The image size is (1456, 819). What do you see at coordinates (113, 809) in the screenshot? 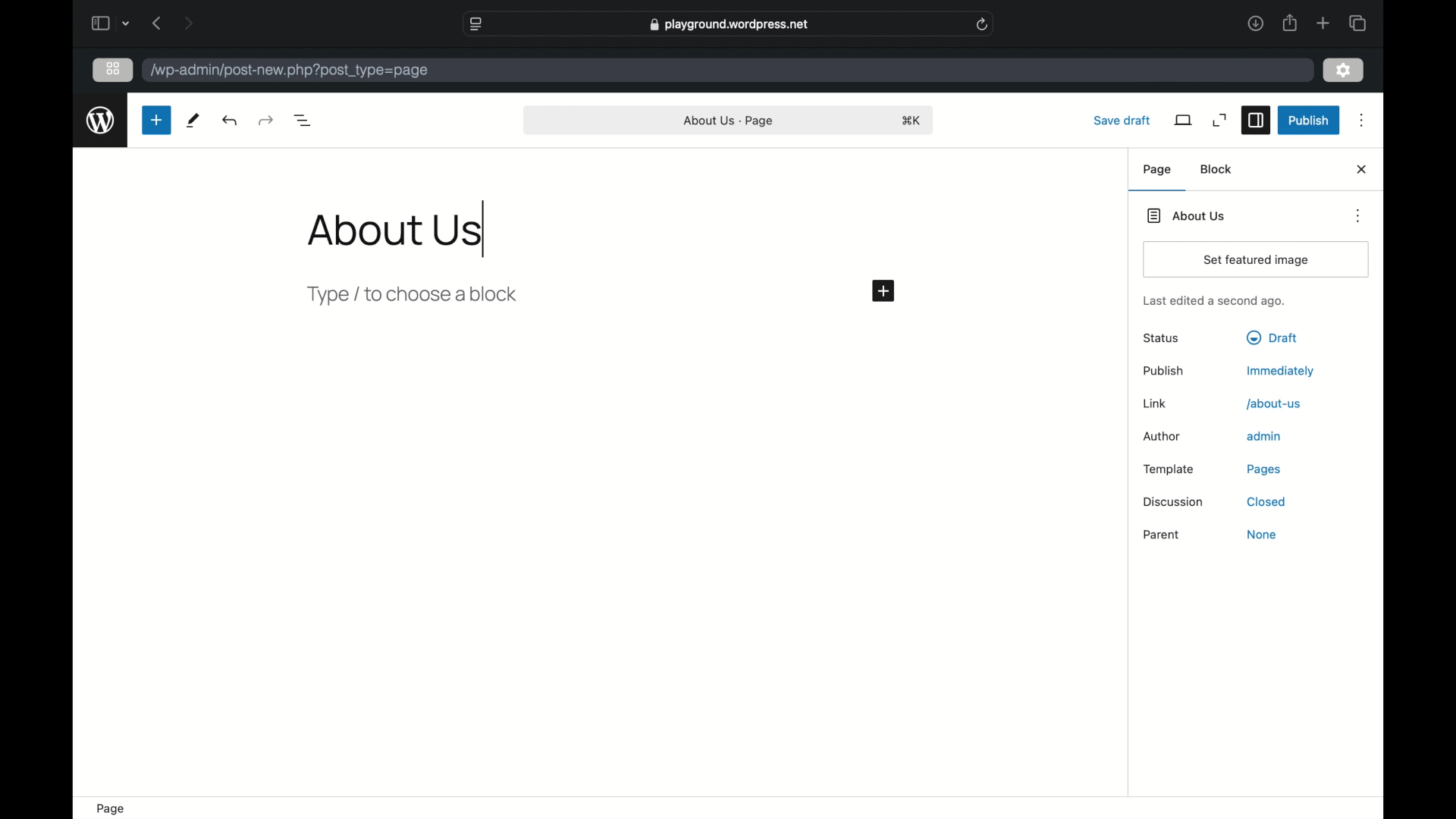
I see `page` at bounding box center [113, 809].